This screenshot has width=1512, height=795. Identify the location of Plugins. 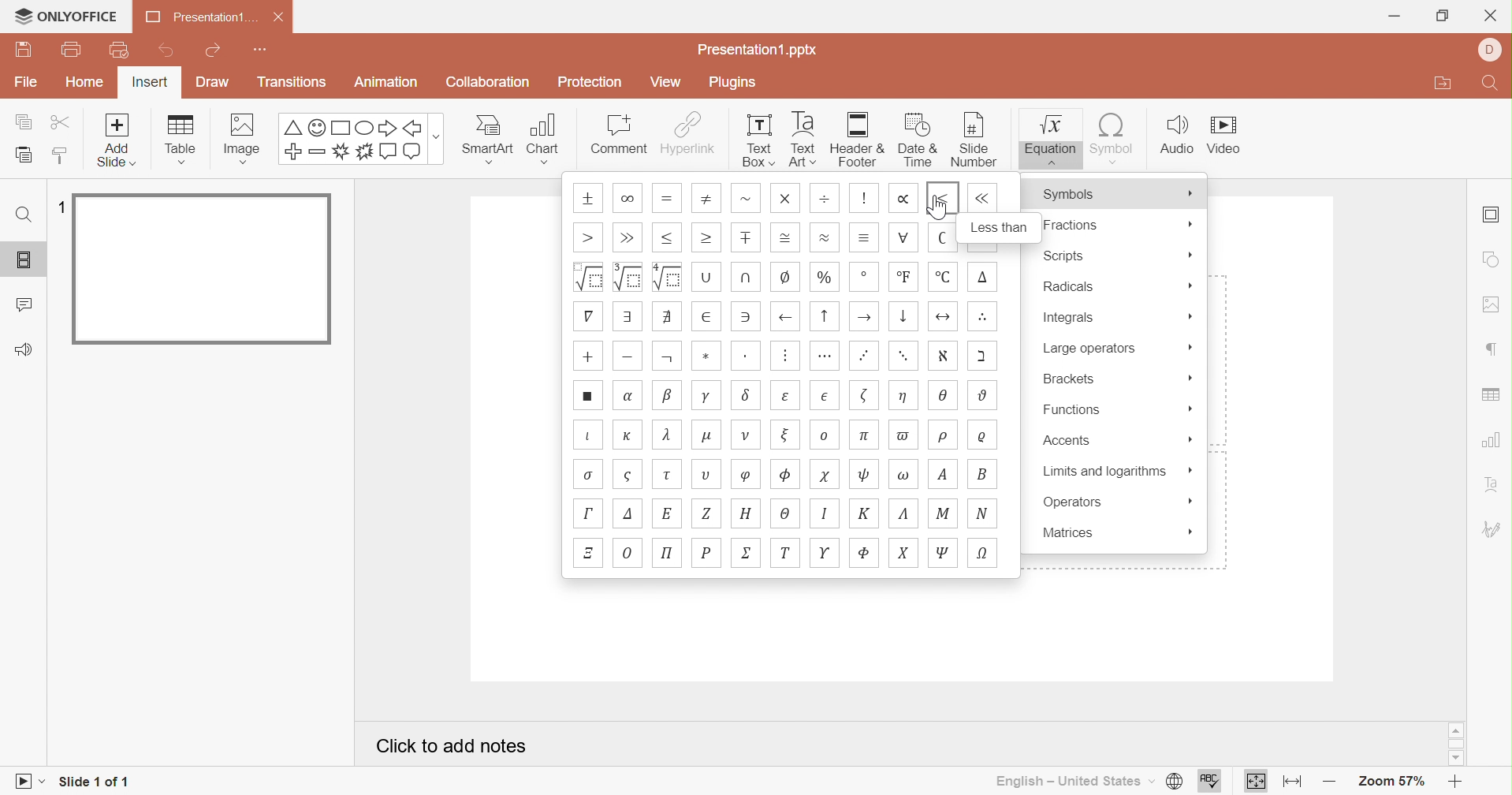
(731, 84).